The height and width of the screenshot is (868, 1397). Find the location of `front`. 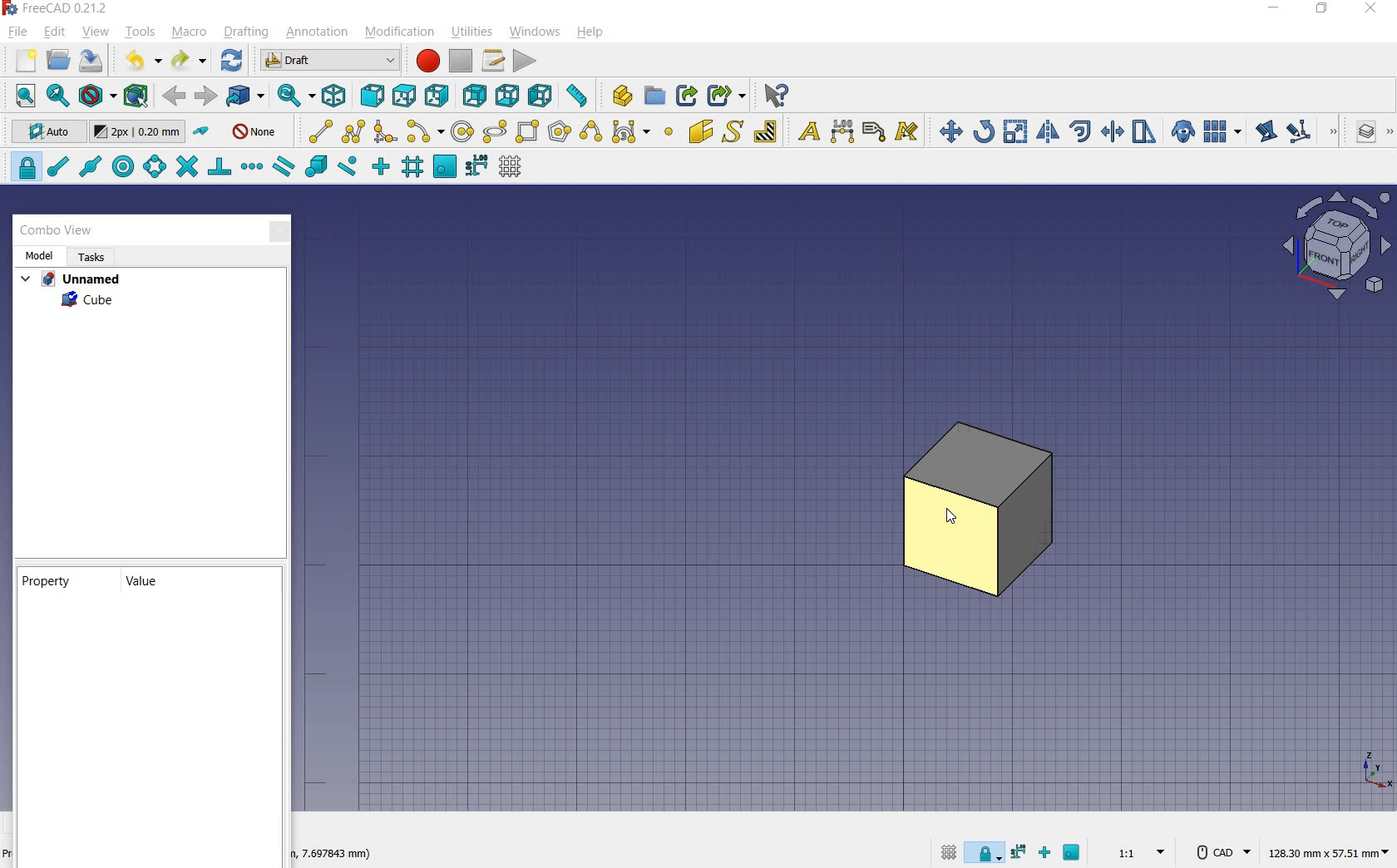

front is located at coordinates (371, 96).